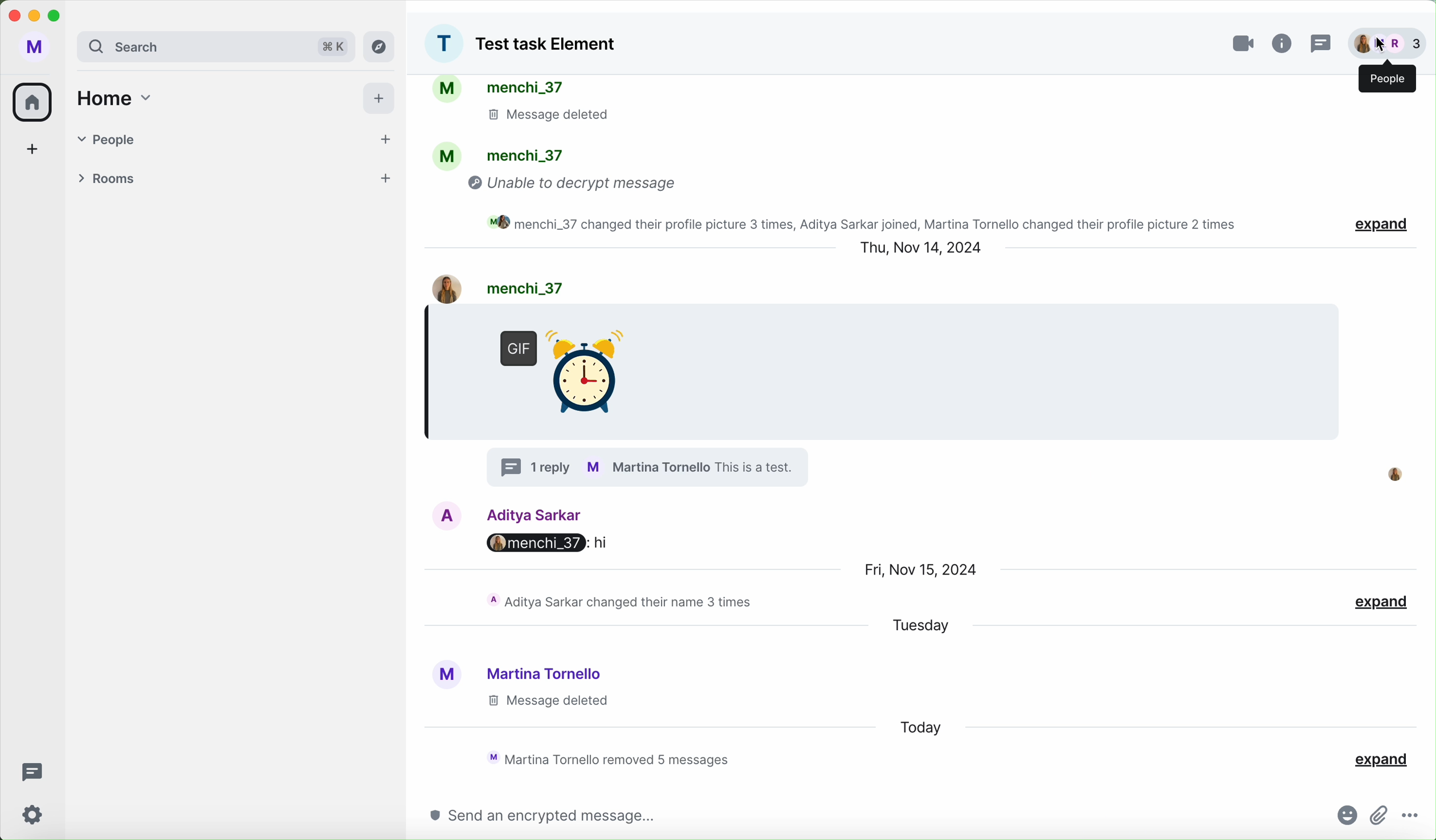 The width and height of the screenshot is (1436, 840). I want to click on attach file, so click(1380, 816).